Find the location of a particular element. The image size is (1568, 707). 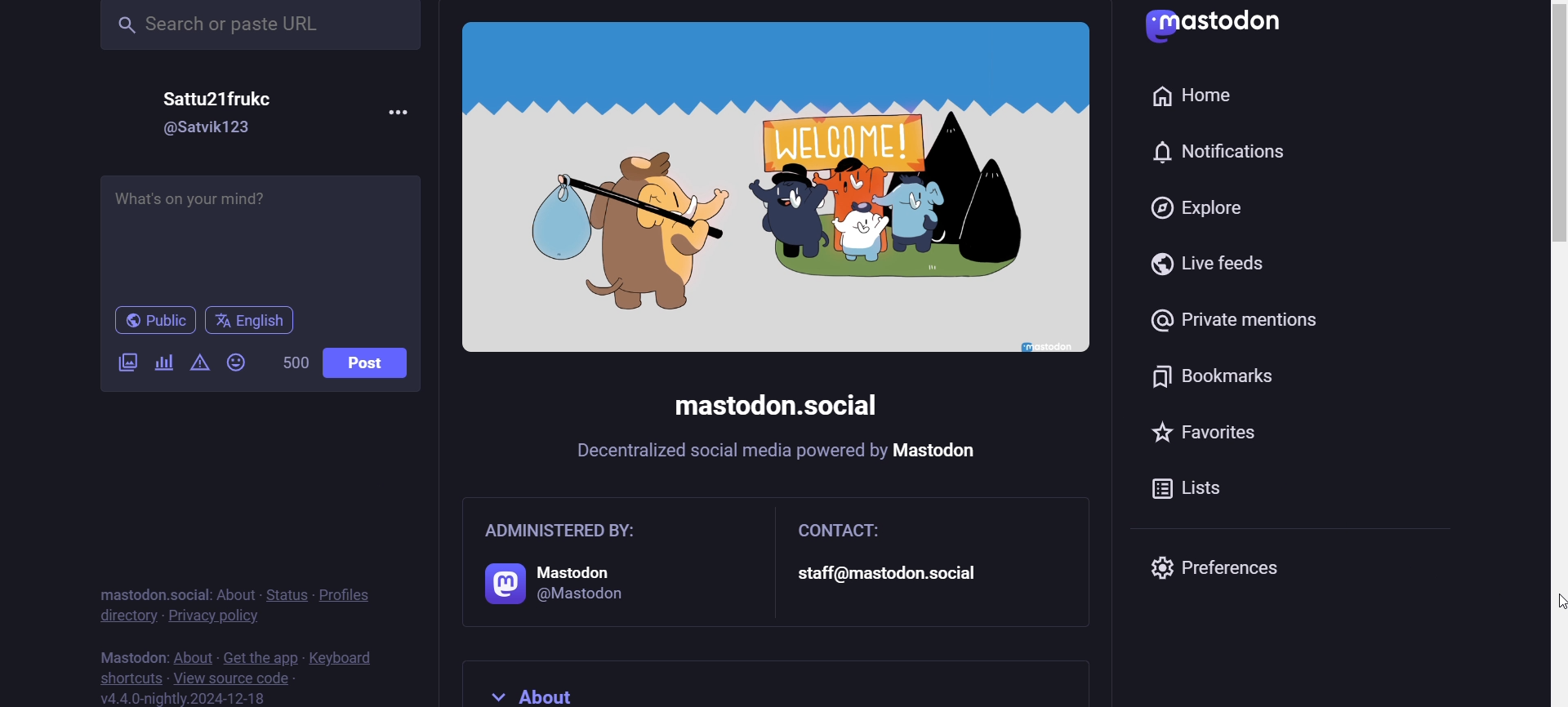

image is located at coordinates (782, 186).